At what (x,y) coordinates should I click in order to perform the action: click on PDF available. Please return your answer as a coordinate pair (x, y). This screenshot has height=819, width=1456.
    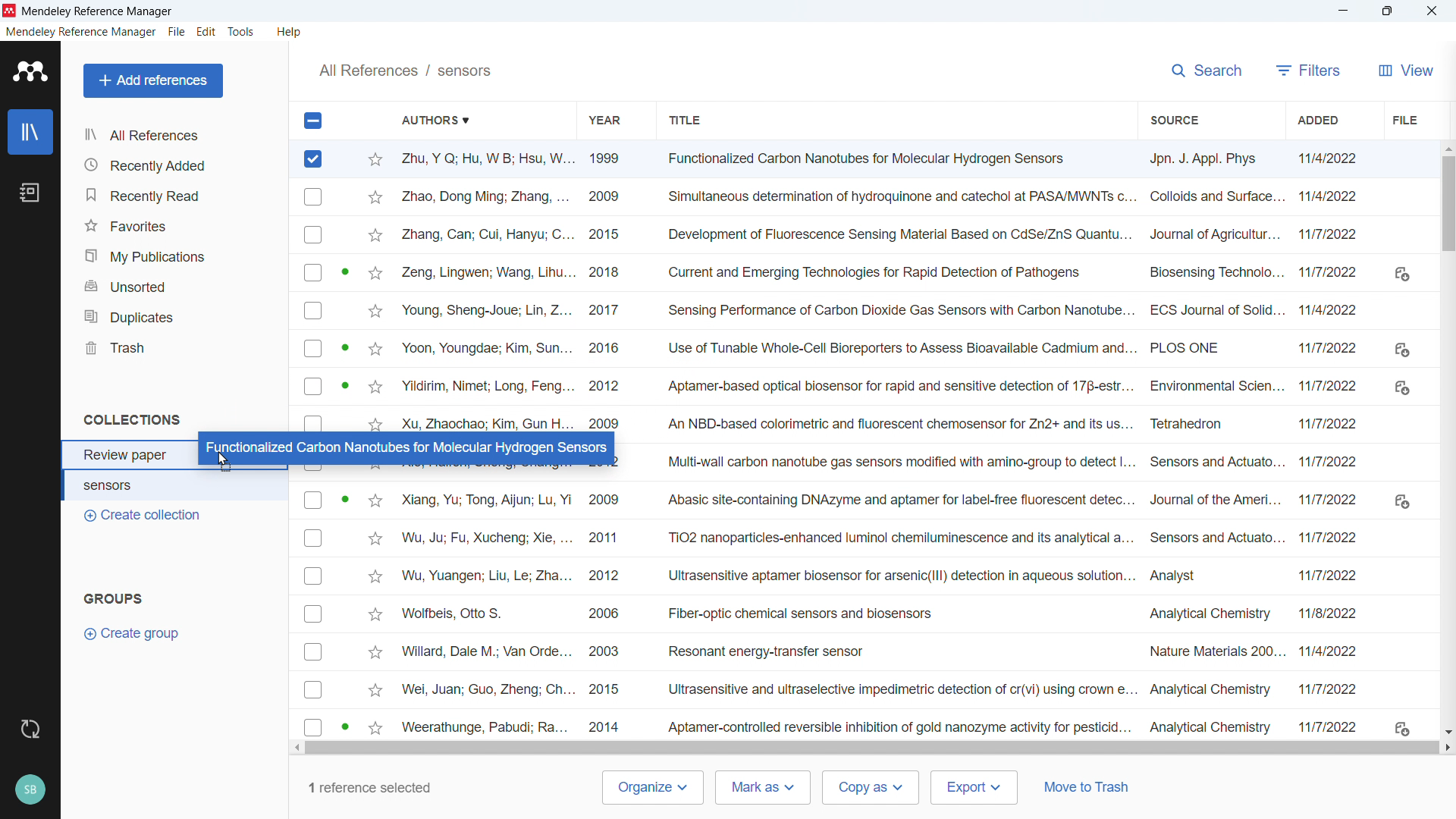
    Looking at the image, I should click on (344, 497).